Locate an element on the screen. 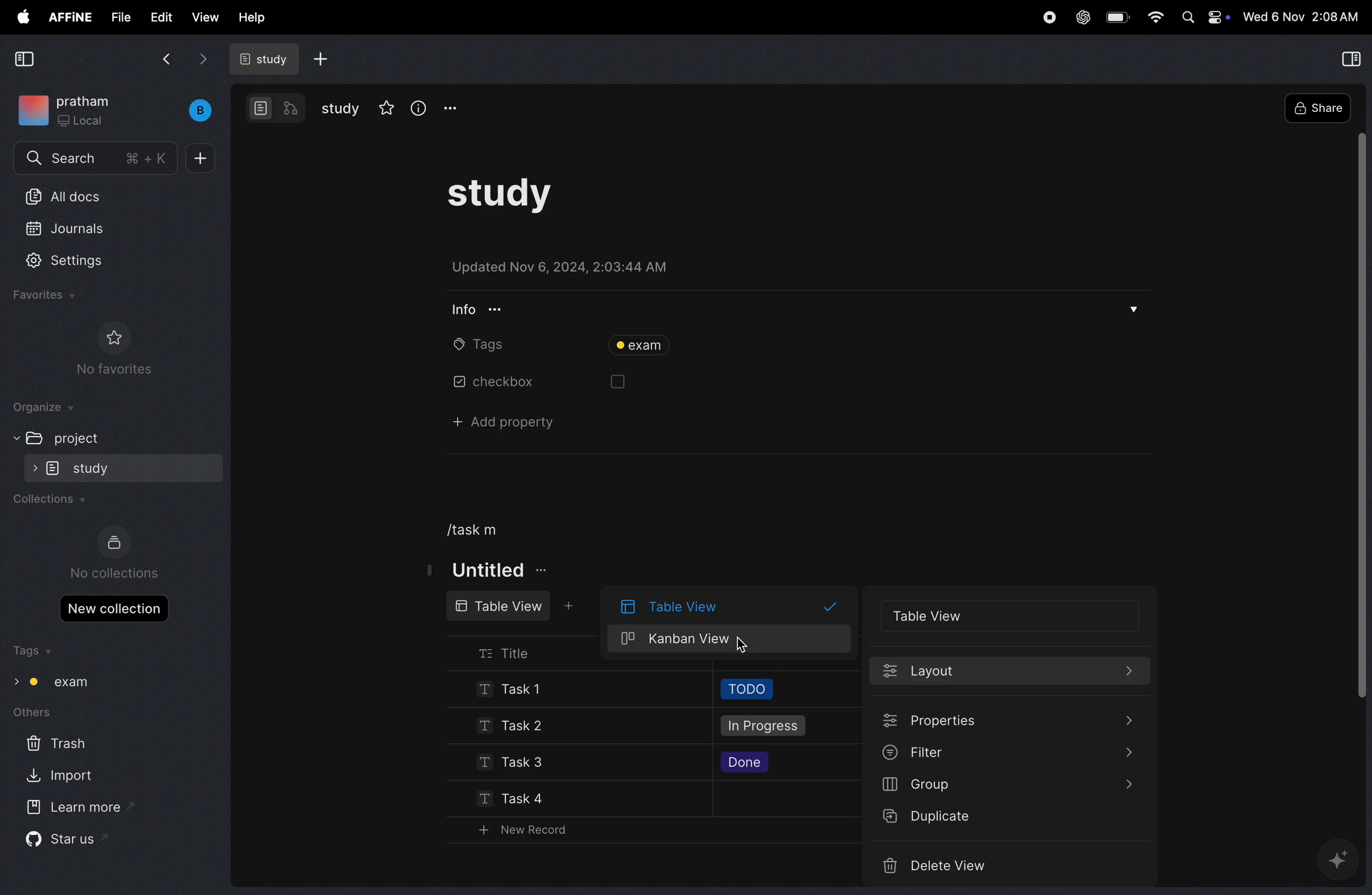 The width and height of the screenshot is (1372, 895). todo is located at coordinates (751, 691).